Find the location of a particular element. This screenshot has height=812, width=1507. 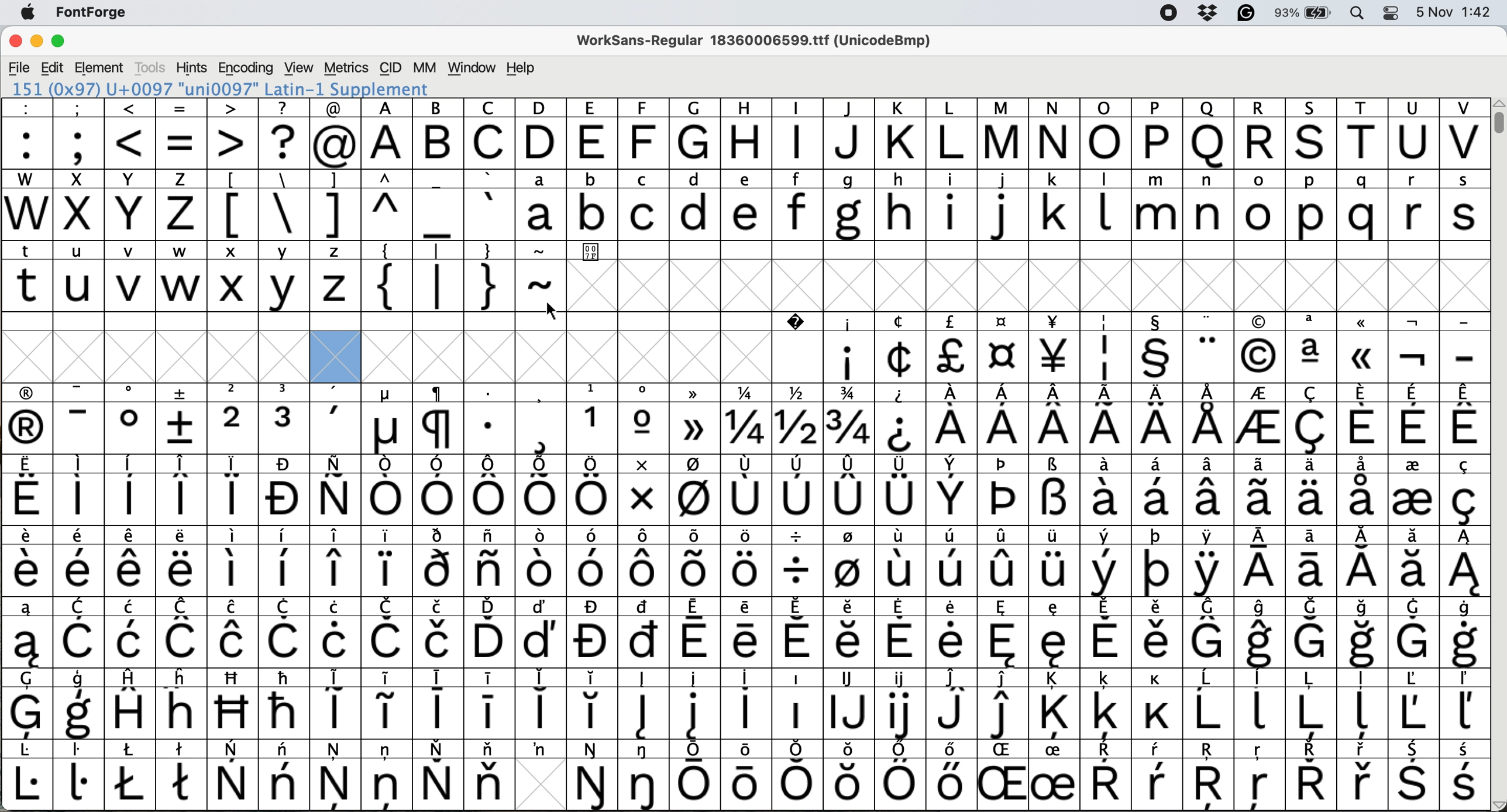

v is located at coordinates (130, 278).